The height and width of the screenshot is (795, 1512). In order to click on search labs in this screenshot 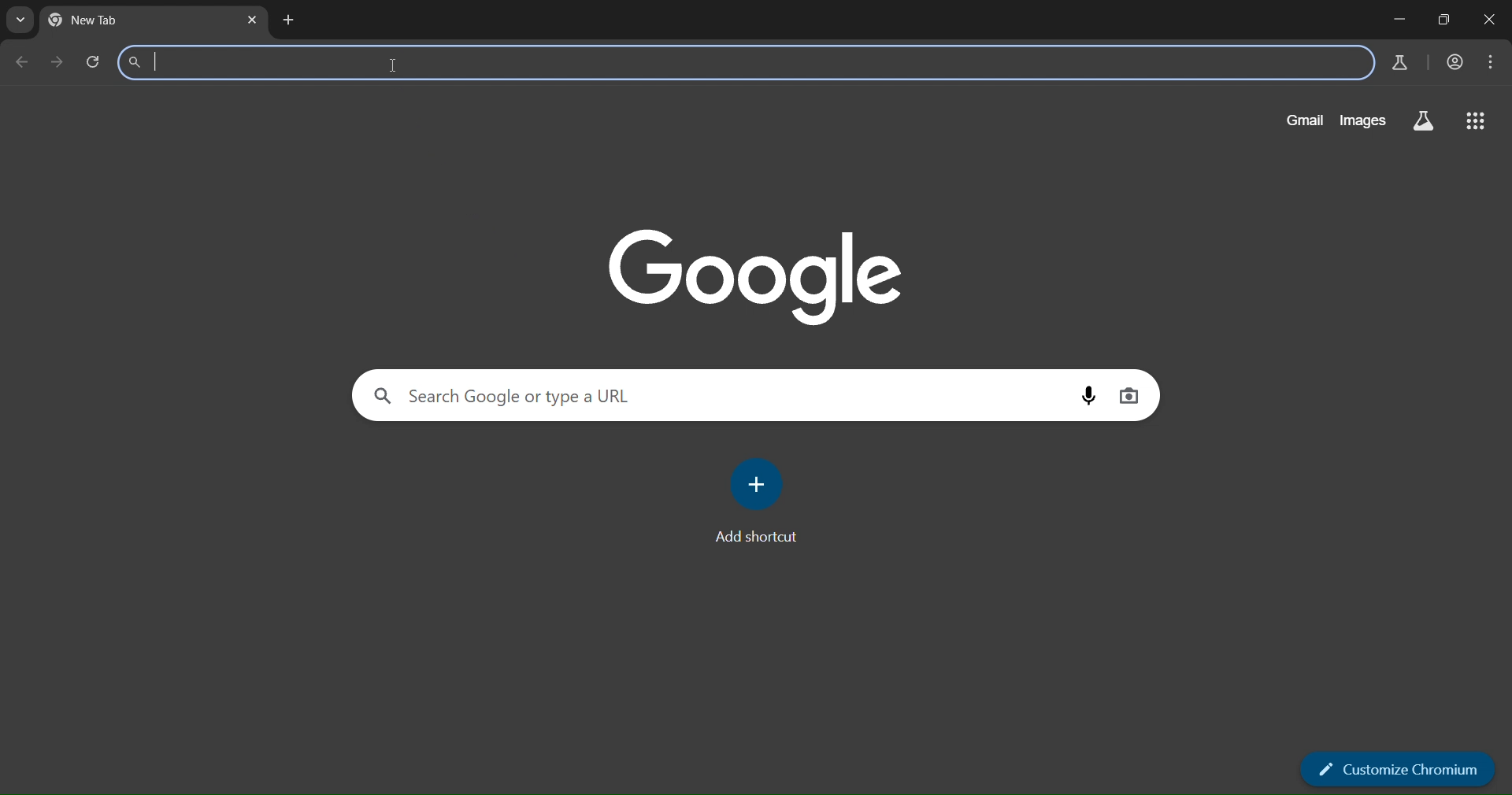, I will do `click(1398, 62)`.